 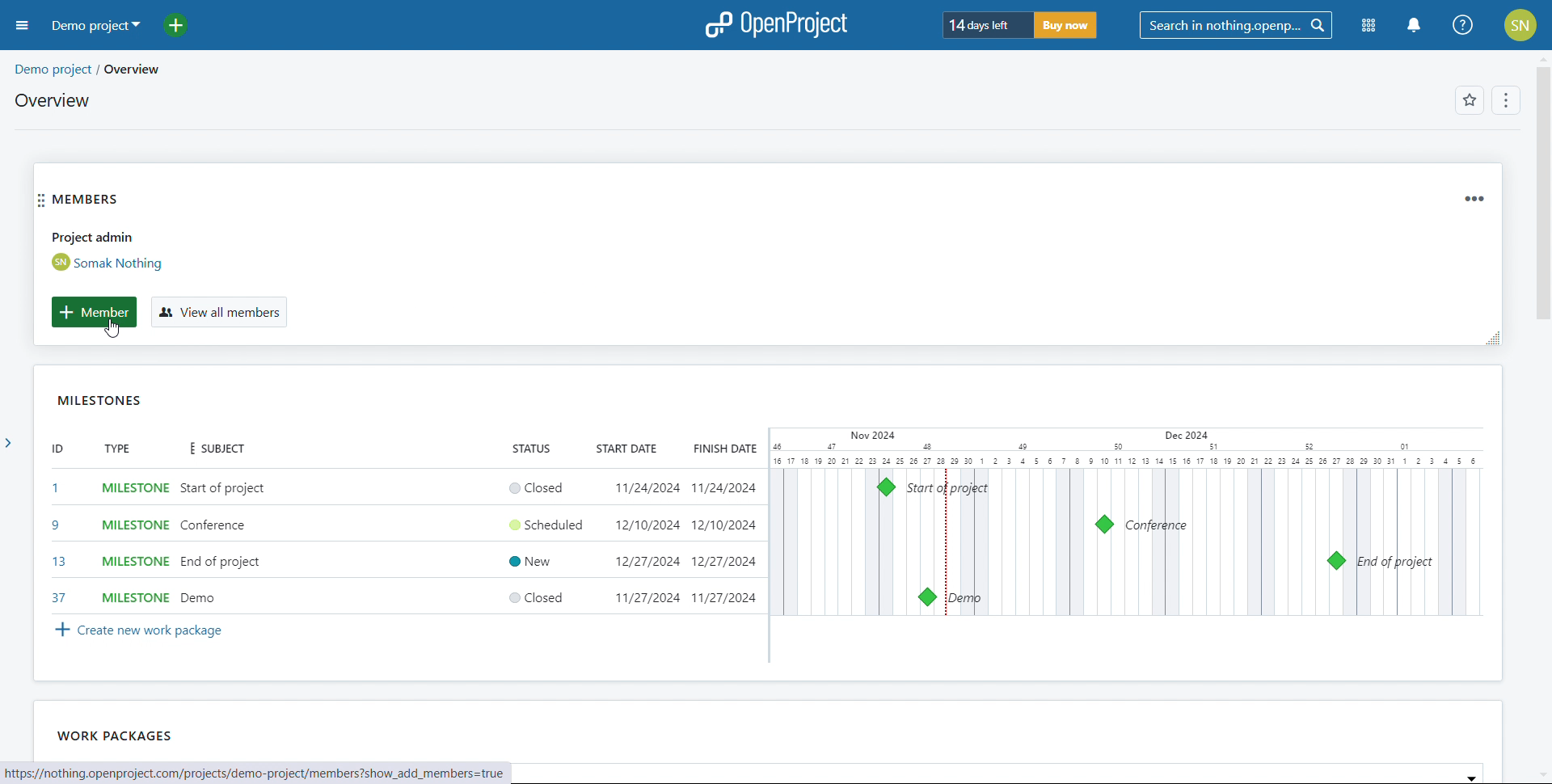 What do you see at coordinates (223, 527) in the screenshot?
I see `Conference` at bounding box center [223, 527].